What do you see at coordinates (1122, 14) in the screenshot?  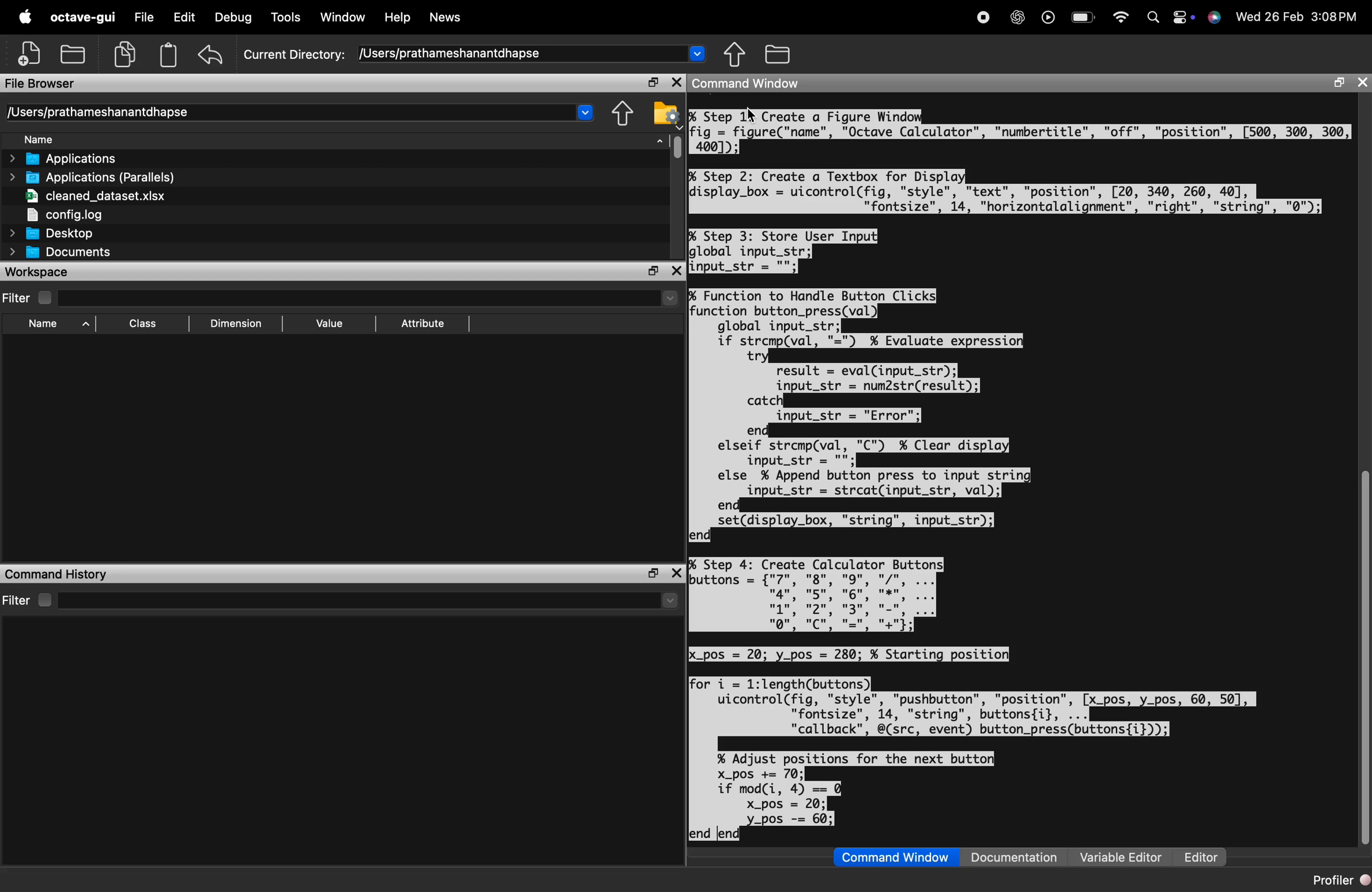 I see `wifi` at bounding box center [1122, 14].